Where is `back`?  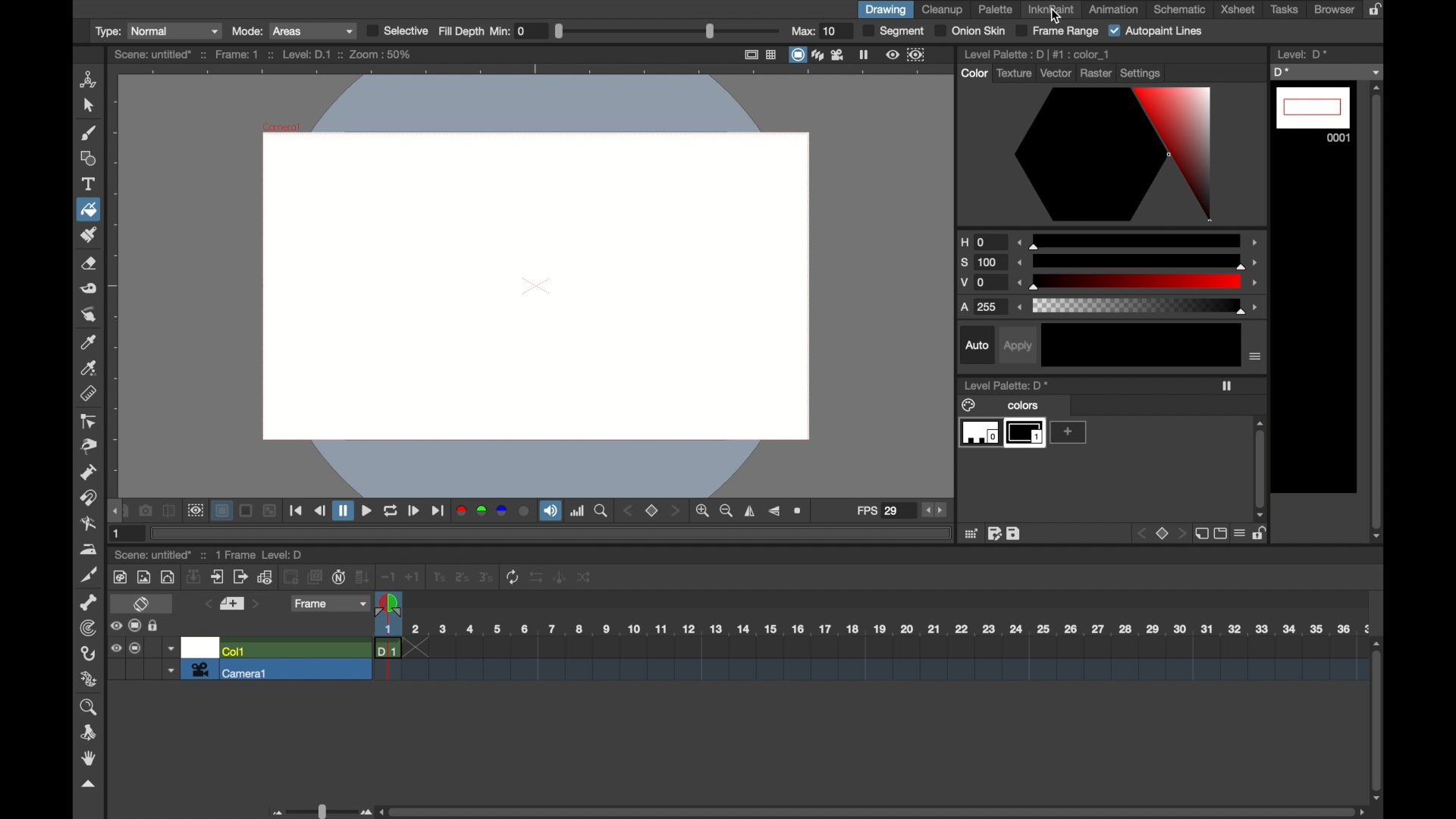
back is located at coordinates (1139, 534).